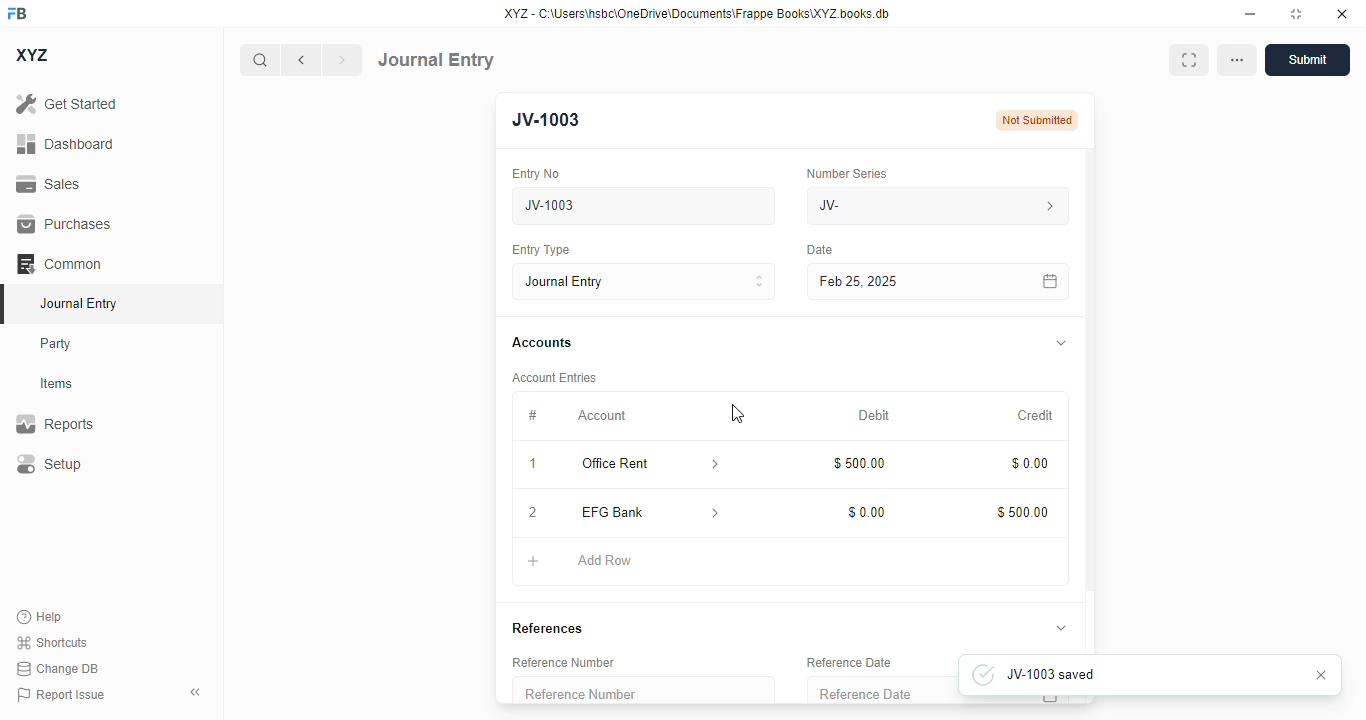 This screenshot has height=720, width=1366. I want to click on submit, so click(1307, 60).